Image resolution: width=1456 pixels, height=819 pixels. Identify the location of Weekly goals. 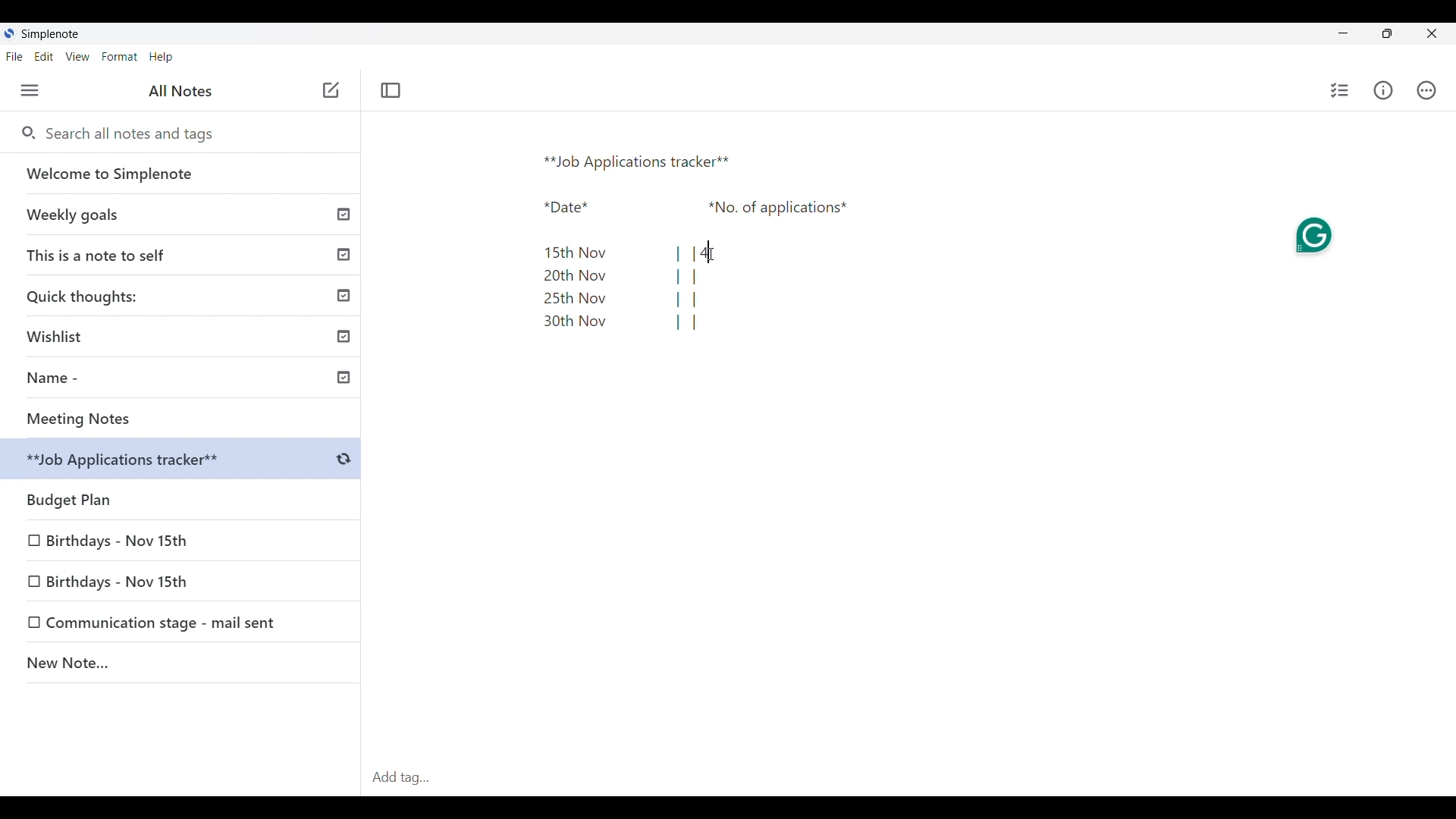
(180, 214).